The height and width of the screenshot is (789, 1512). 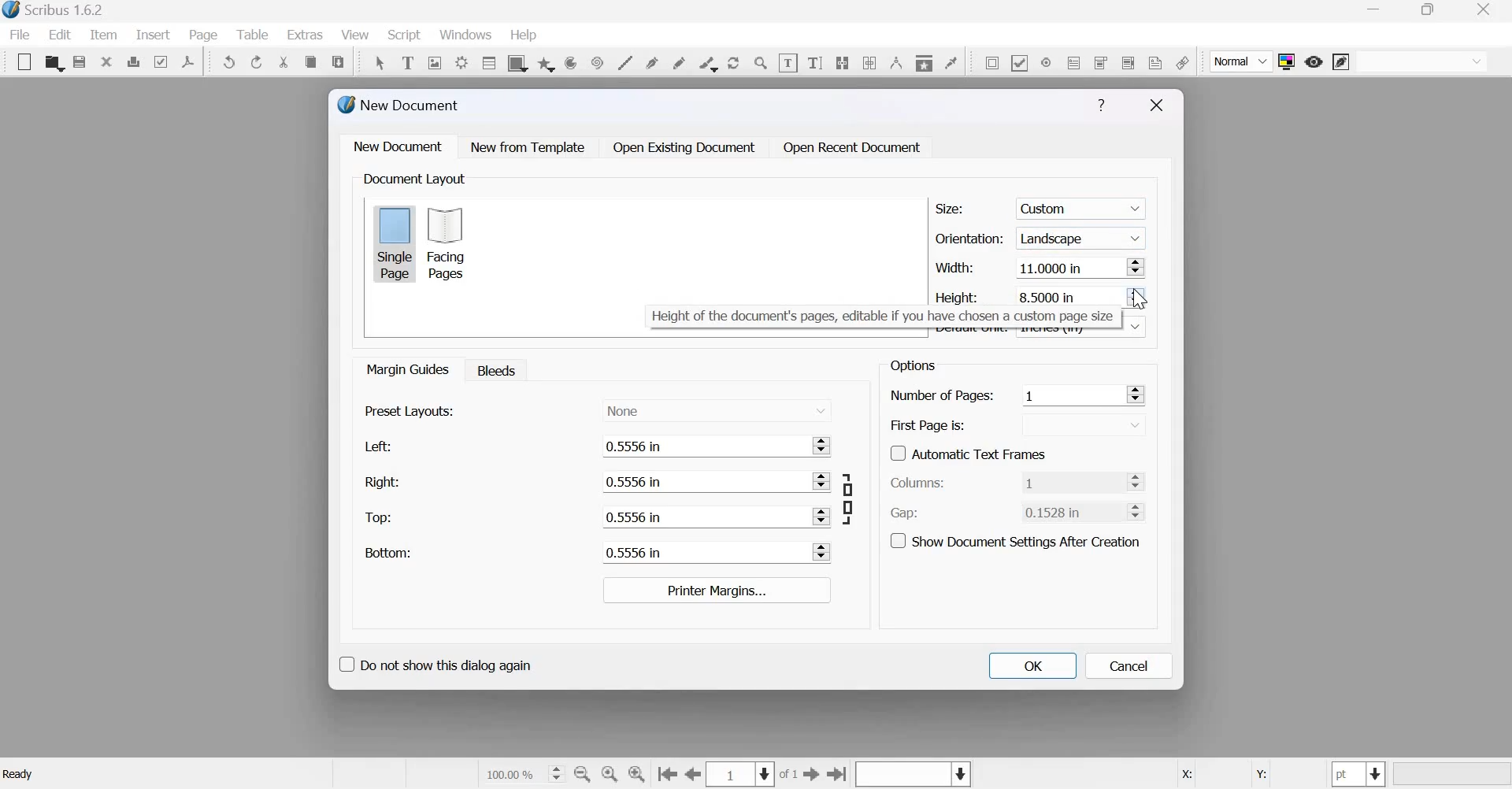 What do you see at coordinates (20, 62) in the screenshot?
I see `New` at bounding box center [20, 62].